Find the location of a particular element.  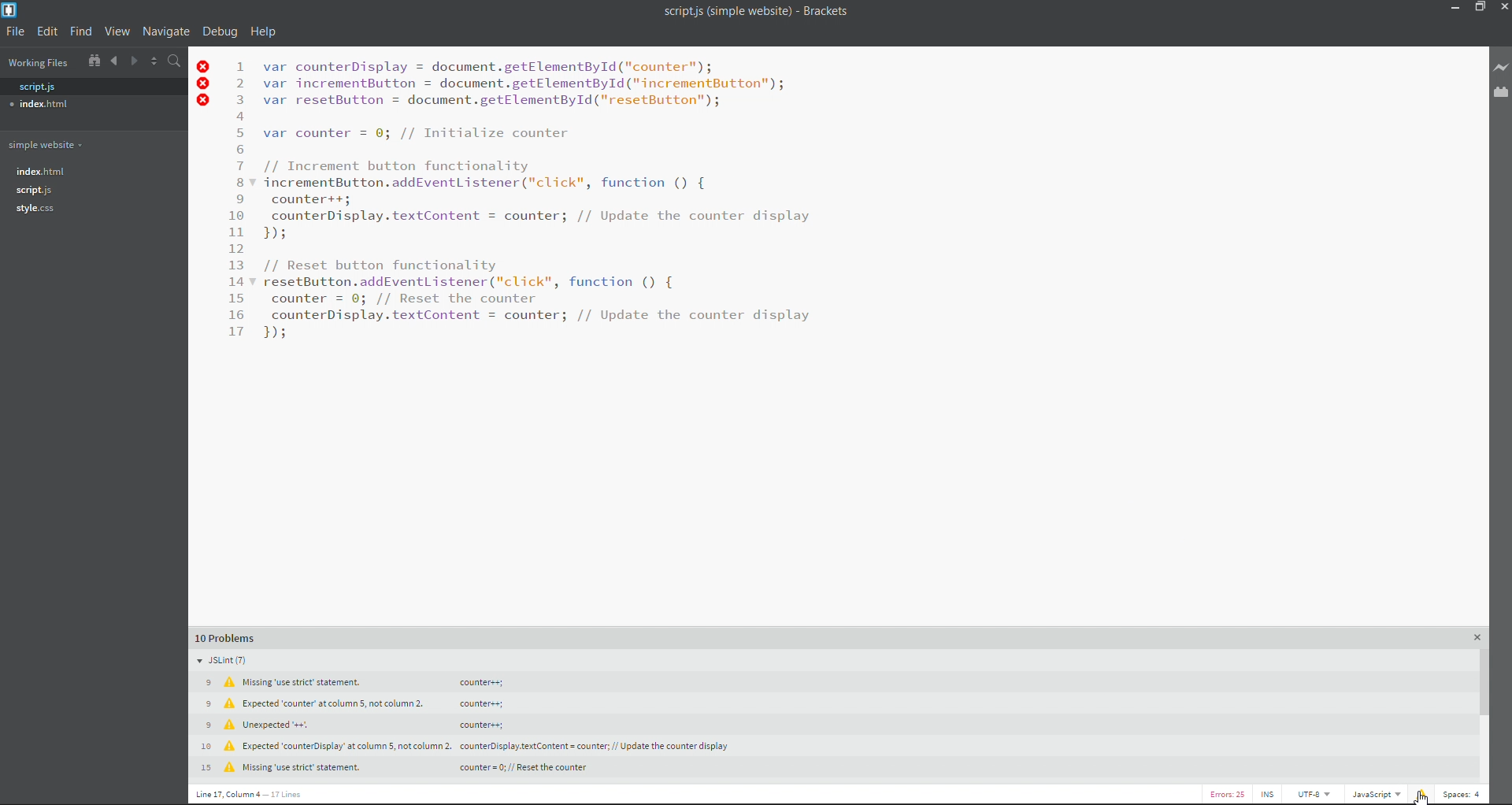

view is located at coordinates (120, 30).